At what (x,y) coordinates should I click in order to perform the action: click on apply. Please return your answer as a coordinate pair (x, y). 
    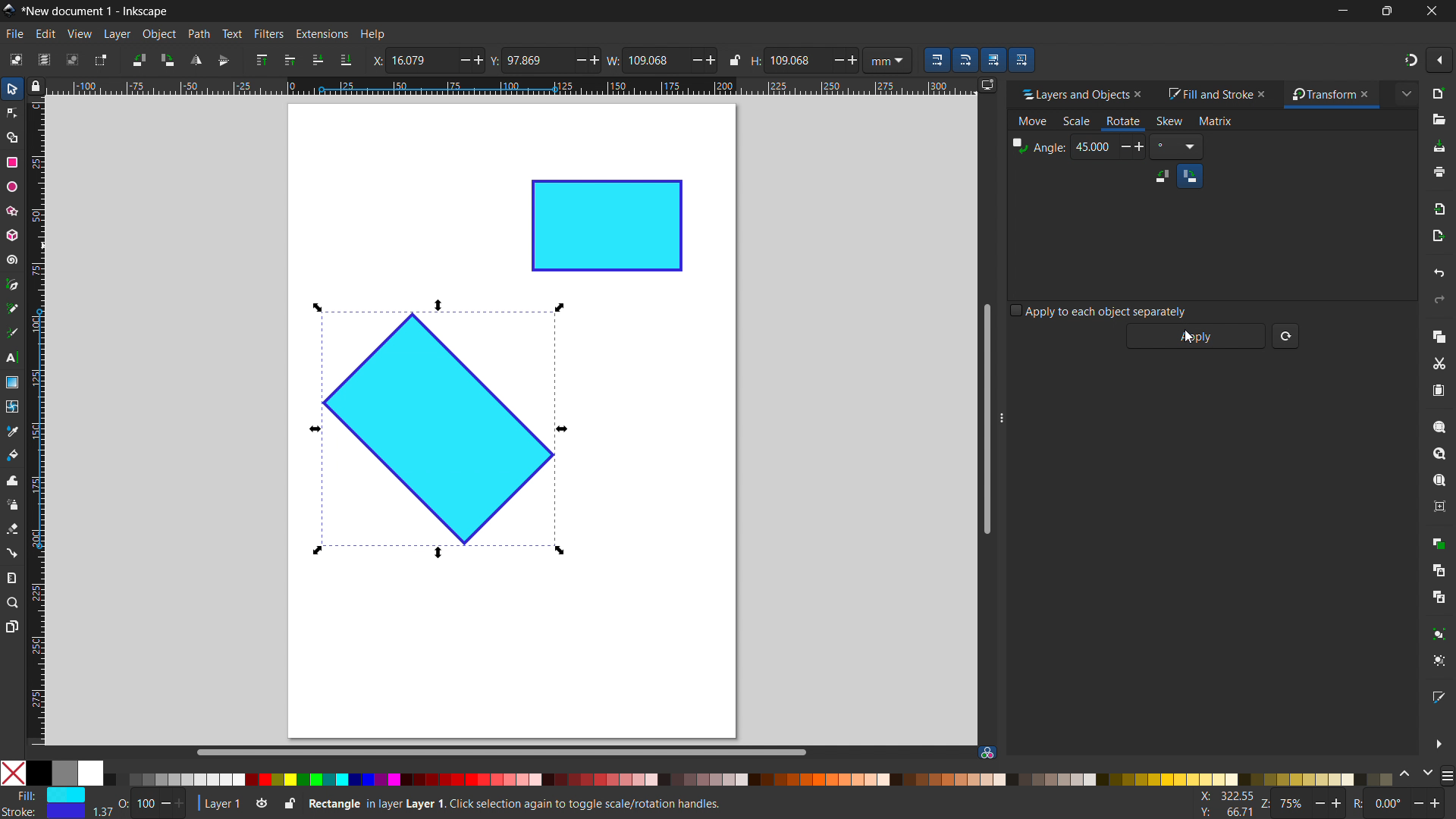
    Looking at the image, I should click on (1197, 337).